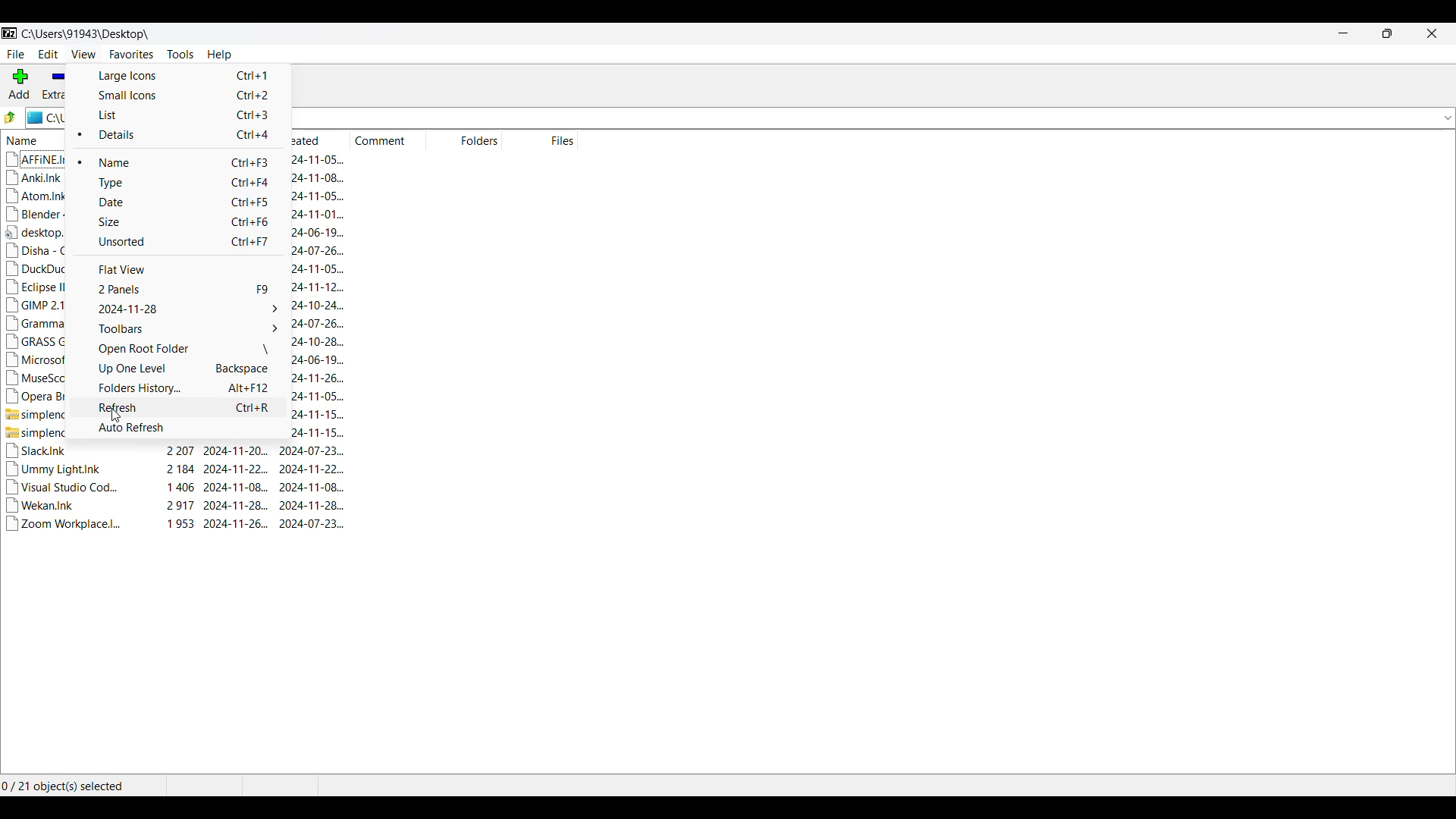 Image resolution: width=1456 pixels, height=819 pixels. What do you see at coordinates (131, 55) in the screenshot?
I see `Favorites` at bounding box center [131, 55].